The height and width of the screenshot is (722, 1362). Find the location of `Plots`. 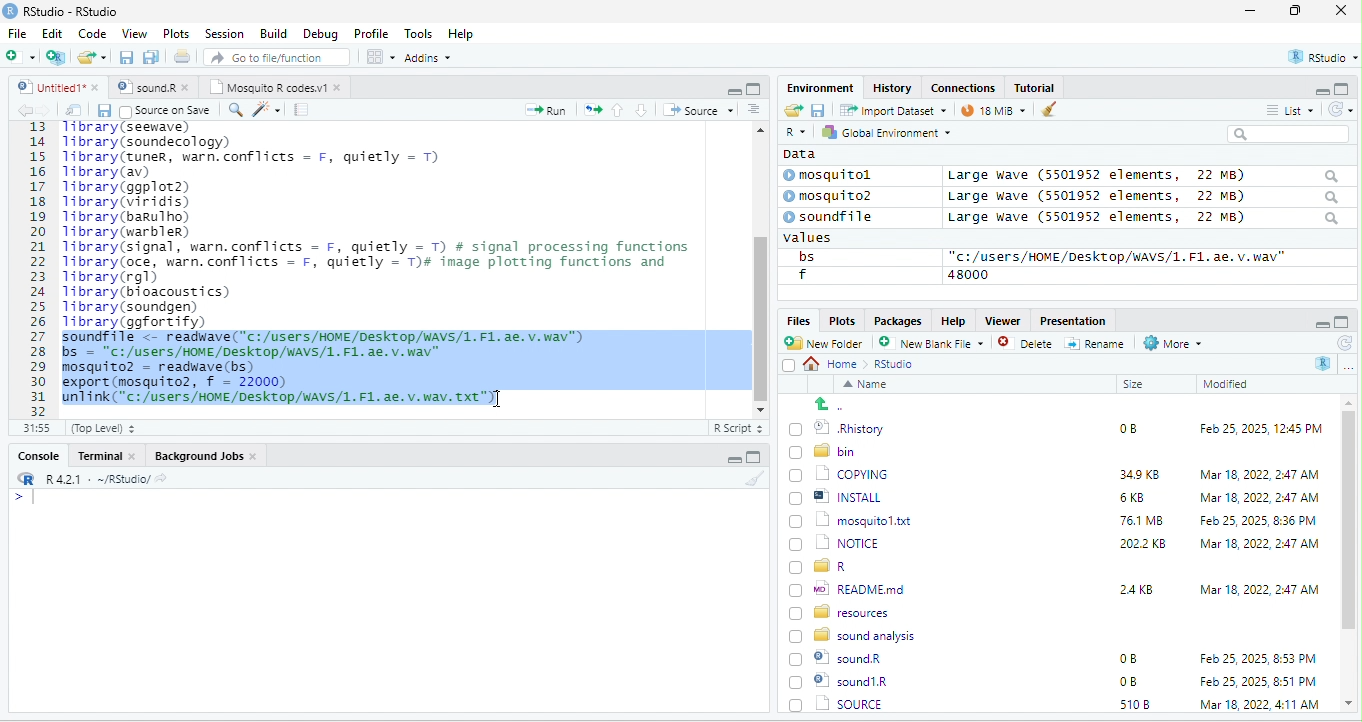

Plots is located at coordinates (177, 33).